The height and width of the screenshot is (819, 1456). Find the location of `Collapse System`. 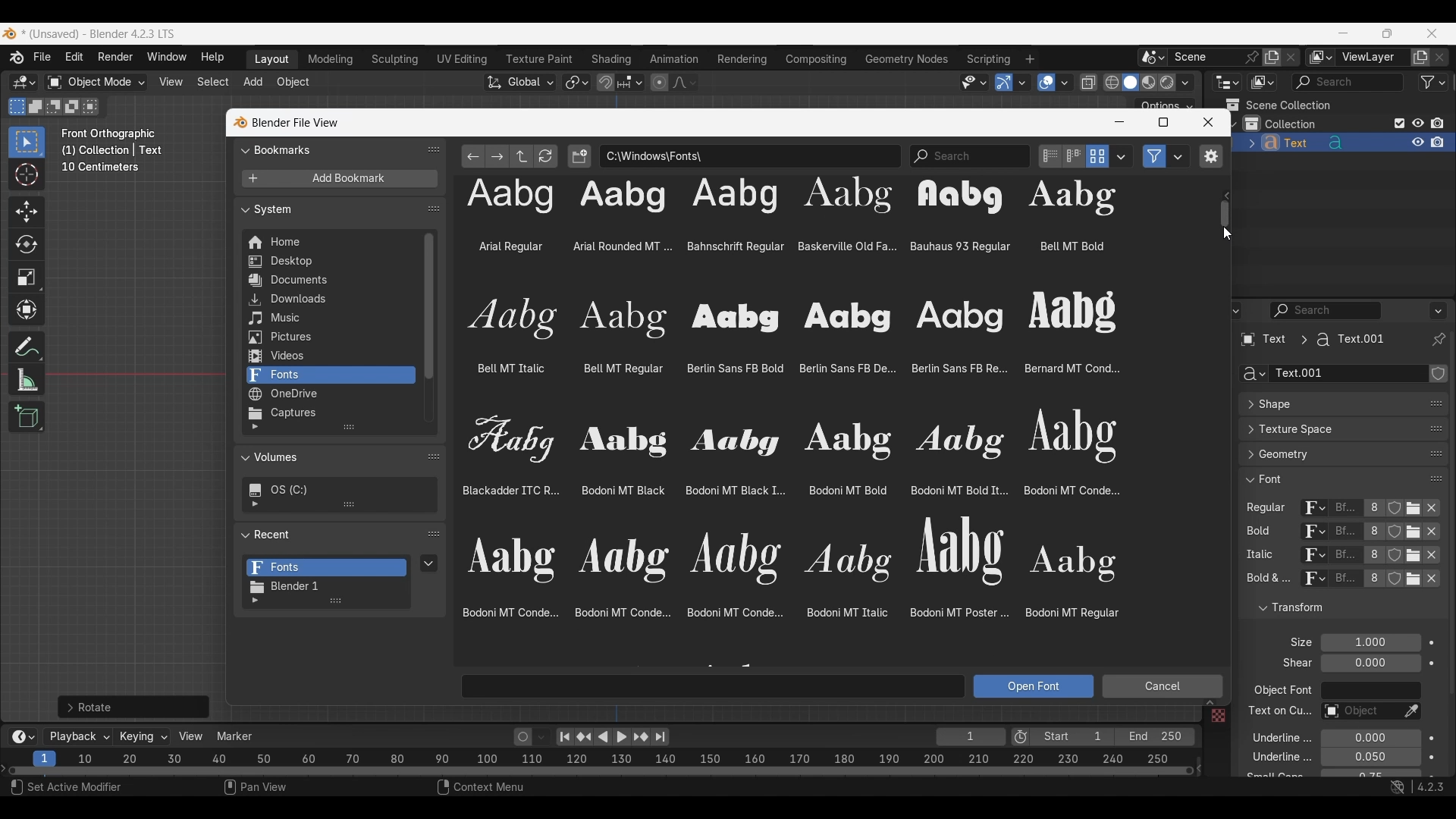

Collapse System is located at coordinates (329, 209).